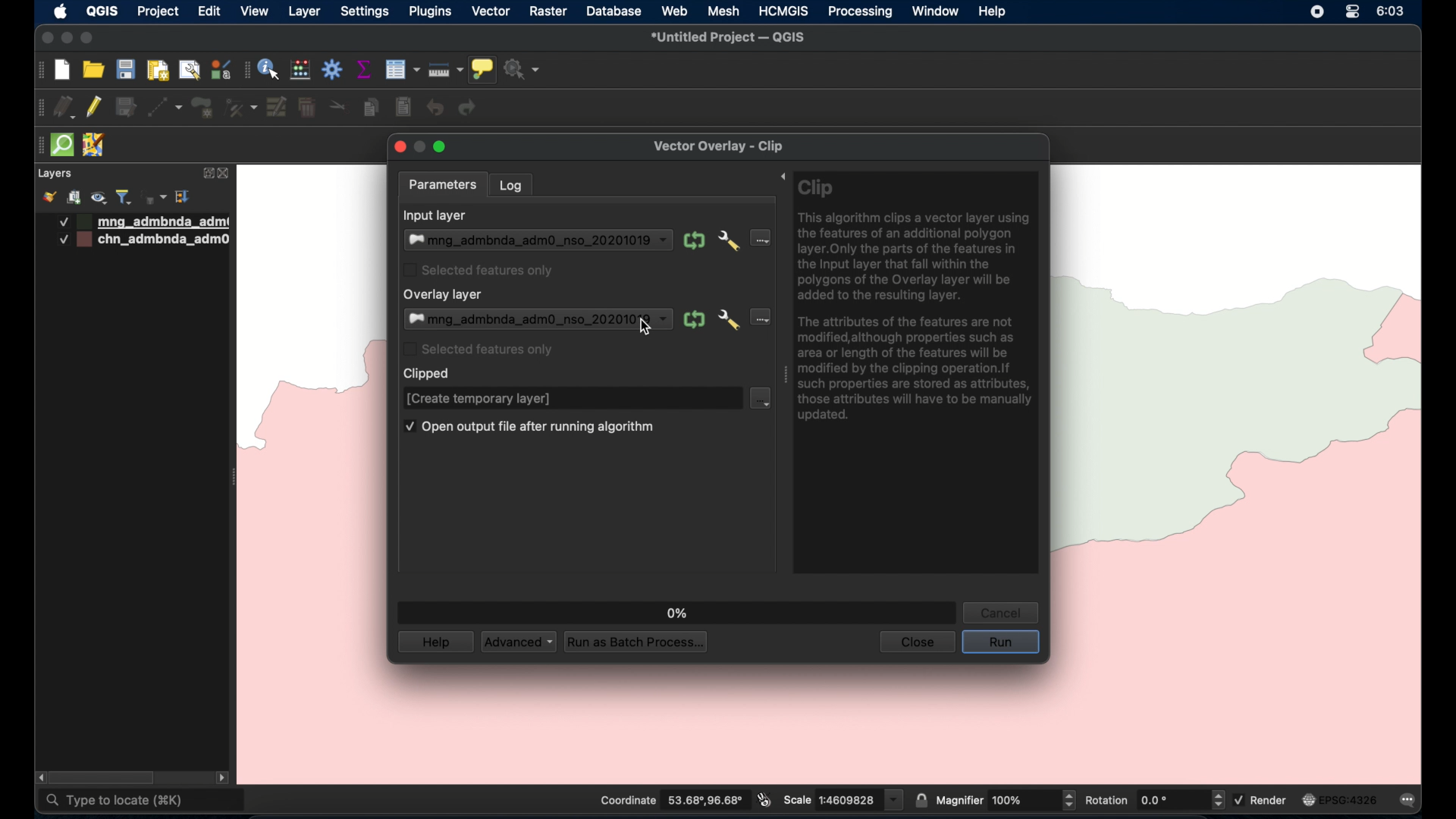 The height and width of the screenshot is (819, 1456). I want to click on filter legend by expression, so click(155, 197).